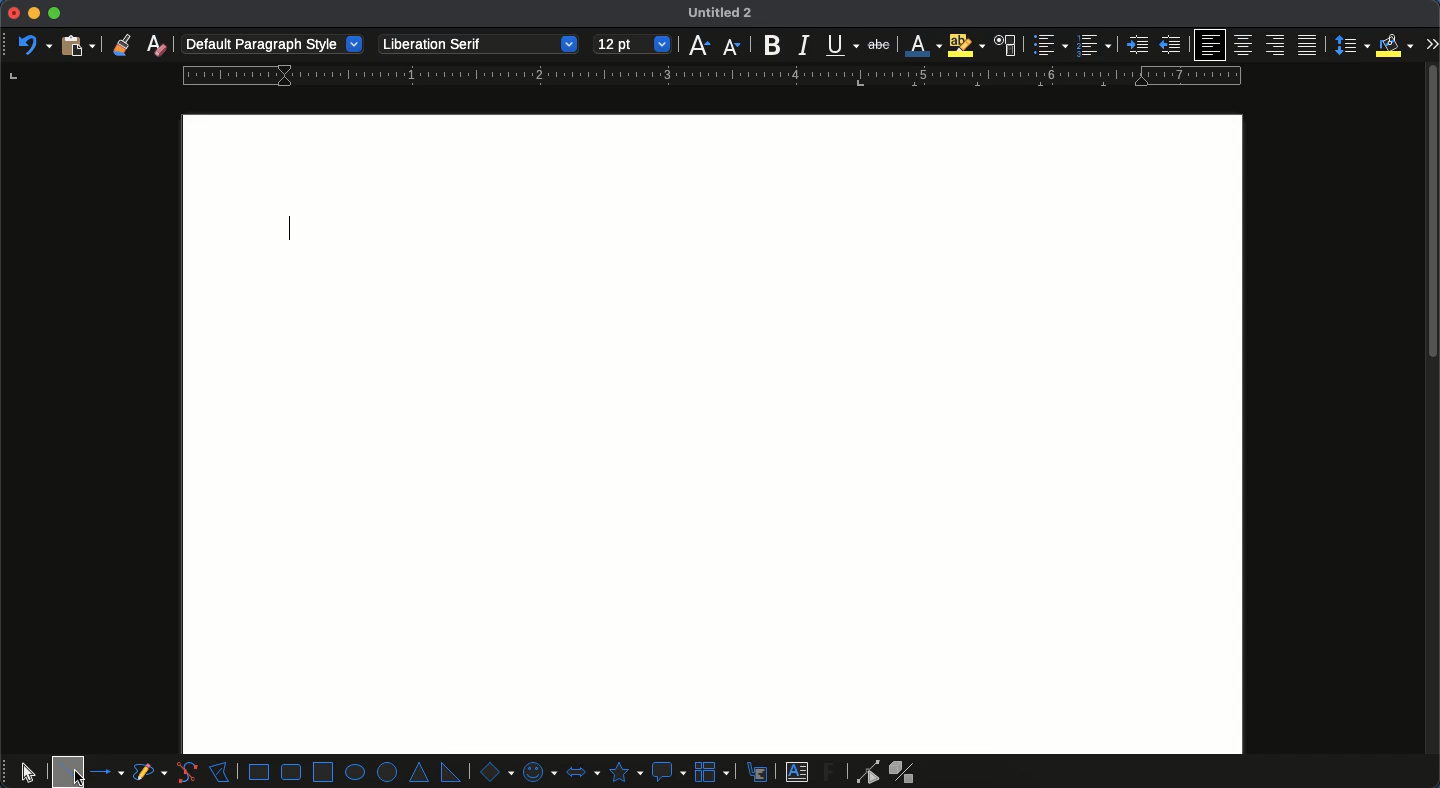 The width and height of the screenshot is (1440, 788). What do you see at coordinates (494, 771) in the screenshot?
I see `basic shapes` at bounding box center [494, 771].